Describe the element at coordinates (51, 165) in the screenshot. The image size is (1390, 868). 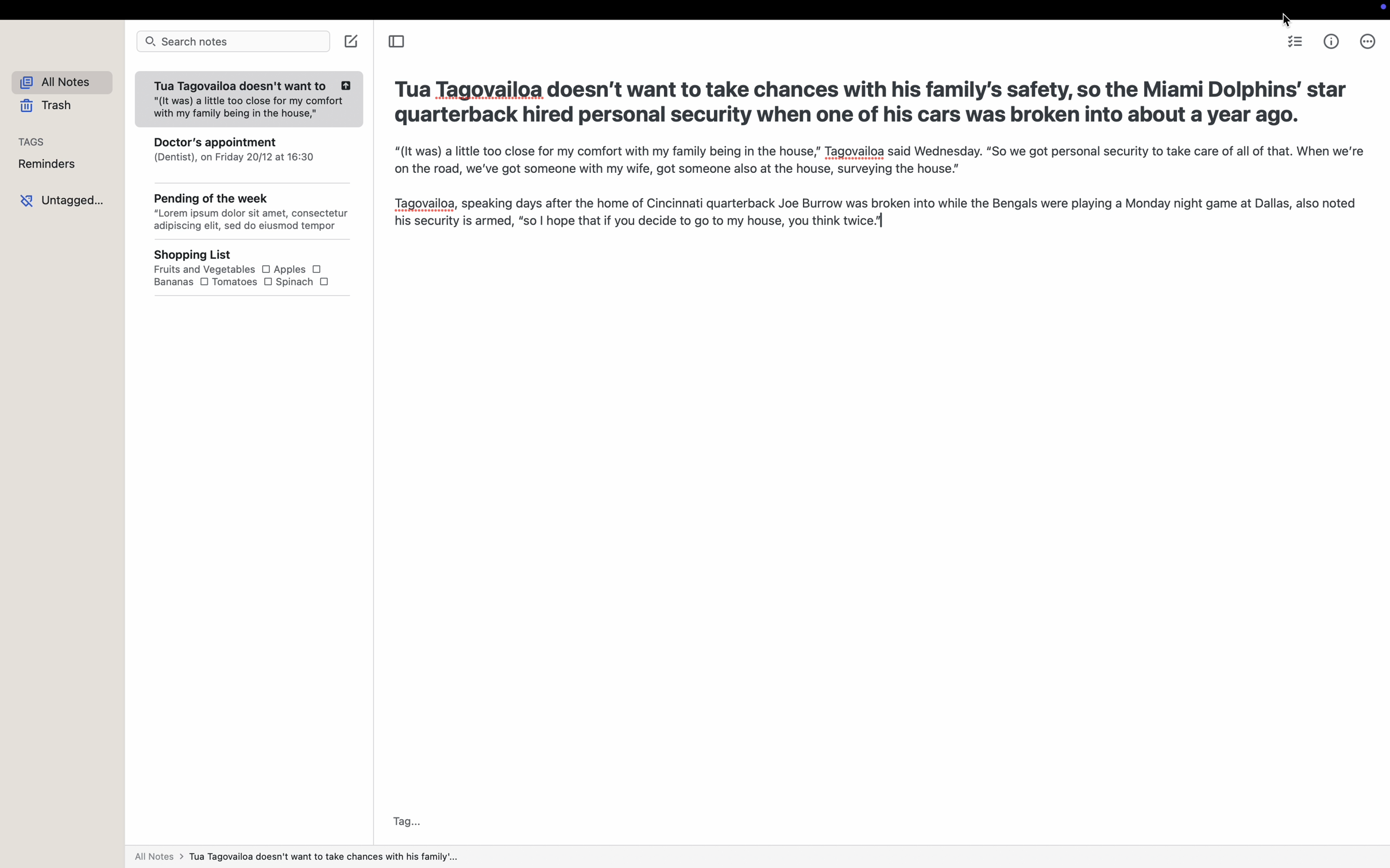
I see `reminders` at that location.